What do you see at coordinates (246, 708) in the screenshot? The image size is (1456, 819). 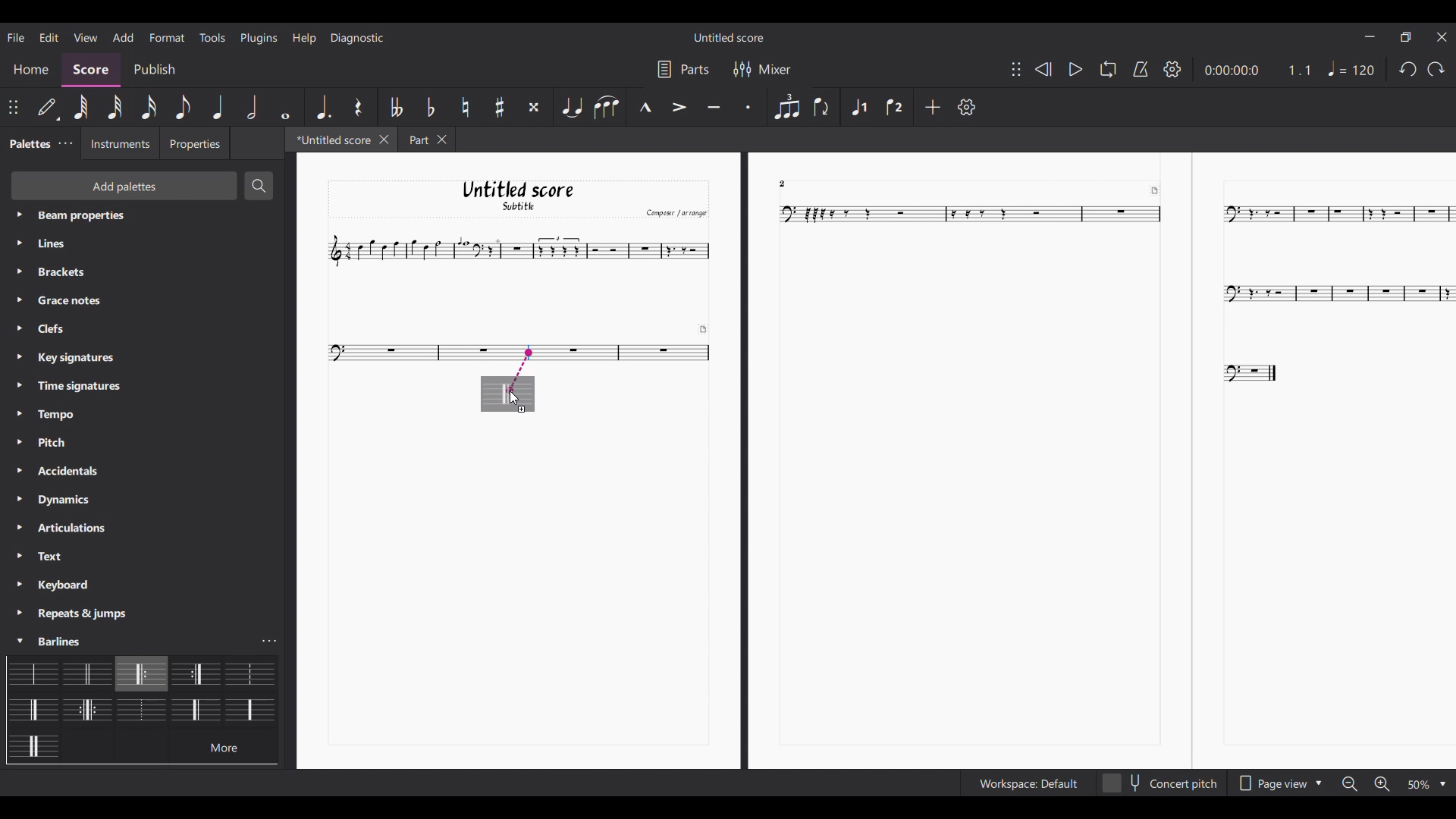 I see `Barline options` at bounding box center [246, 708].